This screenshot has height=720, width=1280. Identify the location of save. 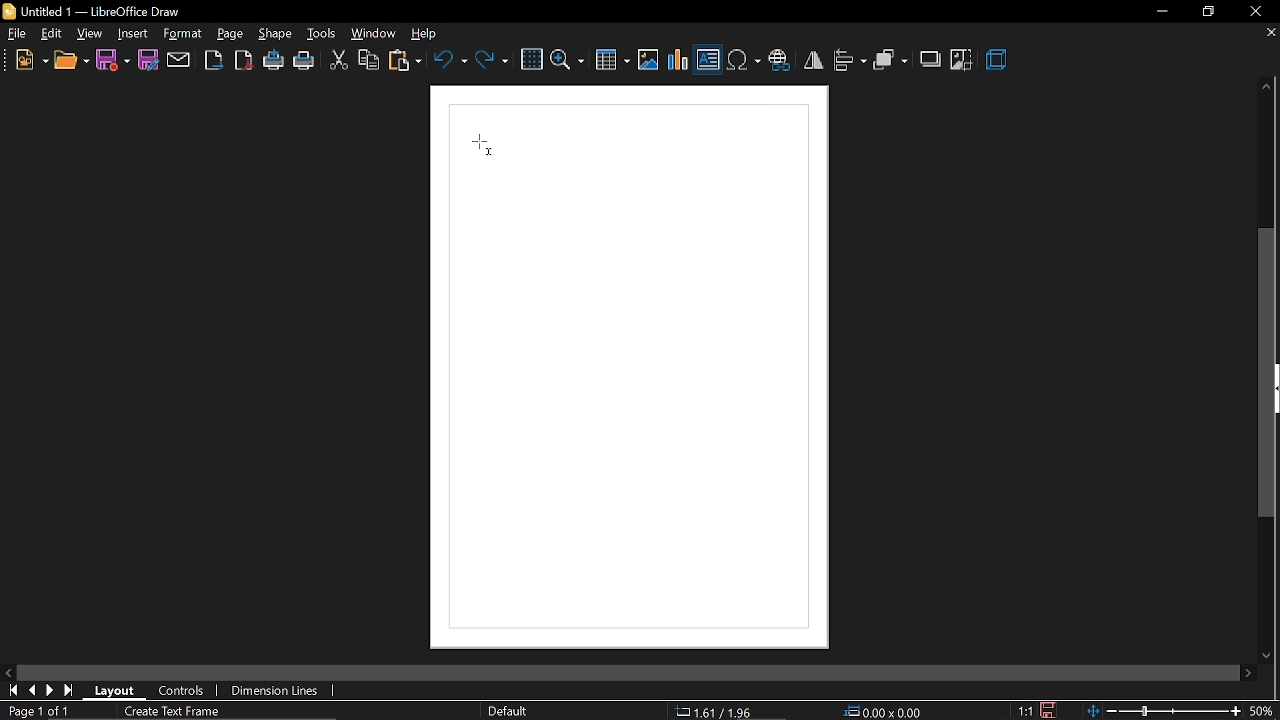
(1046, 709).